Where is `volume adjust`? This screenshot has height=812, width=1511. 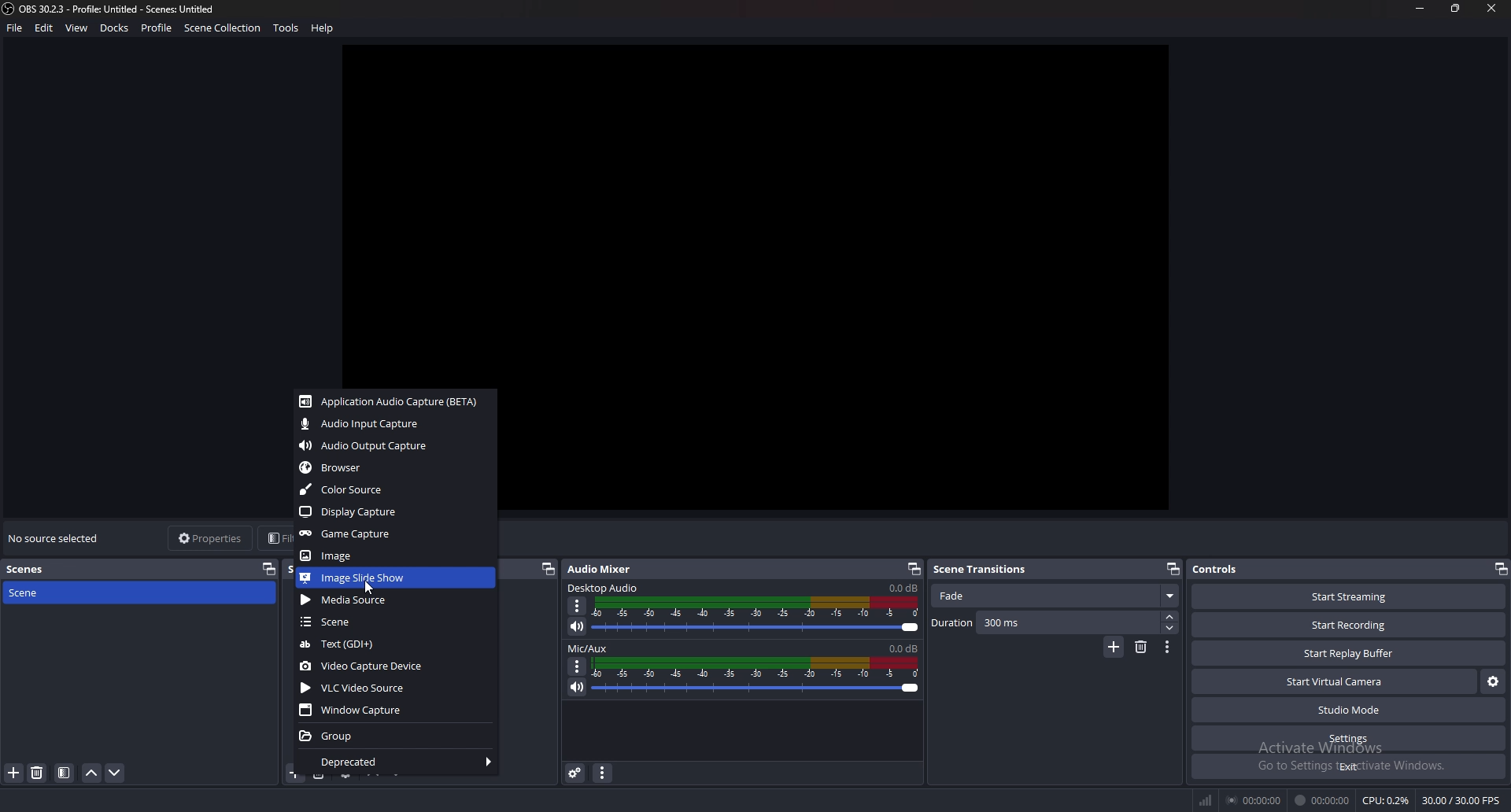
volume adjust is located at coordinates (756, 615).